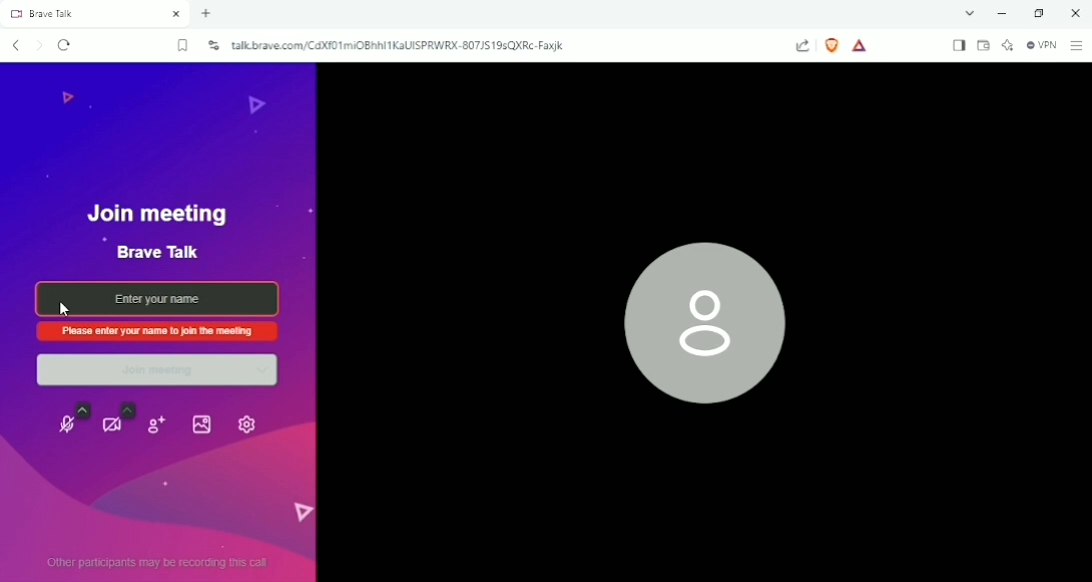 The image size is (1092, 582). I want to click on Unmute Microphone, so click(74, 417).